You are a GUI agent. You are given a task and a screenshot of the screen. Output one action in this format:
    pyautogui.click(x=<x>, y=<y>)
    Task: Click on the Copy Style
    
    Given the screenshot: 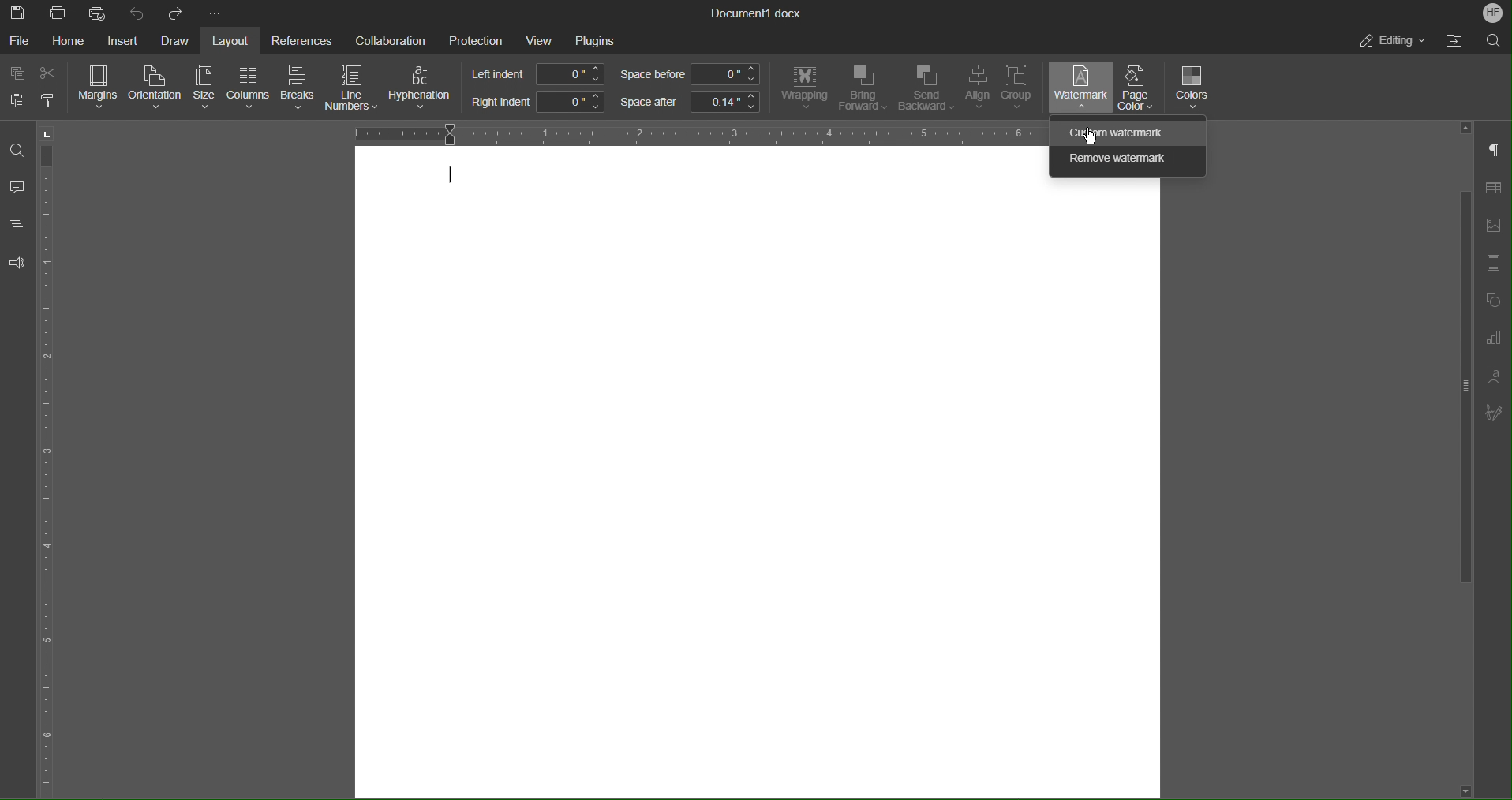 What is the action you would take?
    pyautogui.click(x=50, y=101)
    